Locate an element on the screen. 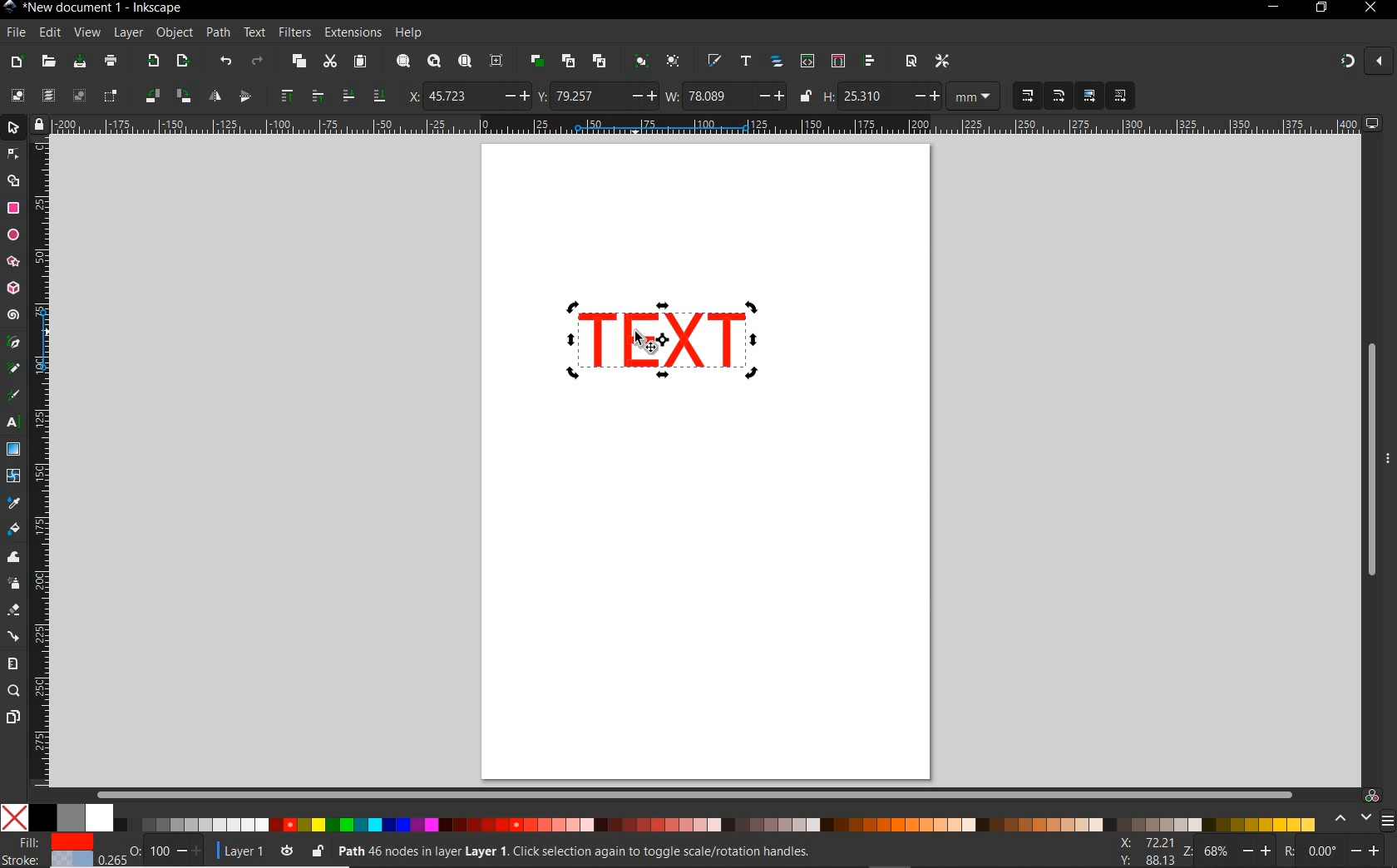  HELP is located at coordinates (407, 34).